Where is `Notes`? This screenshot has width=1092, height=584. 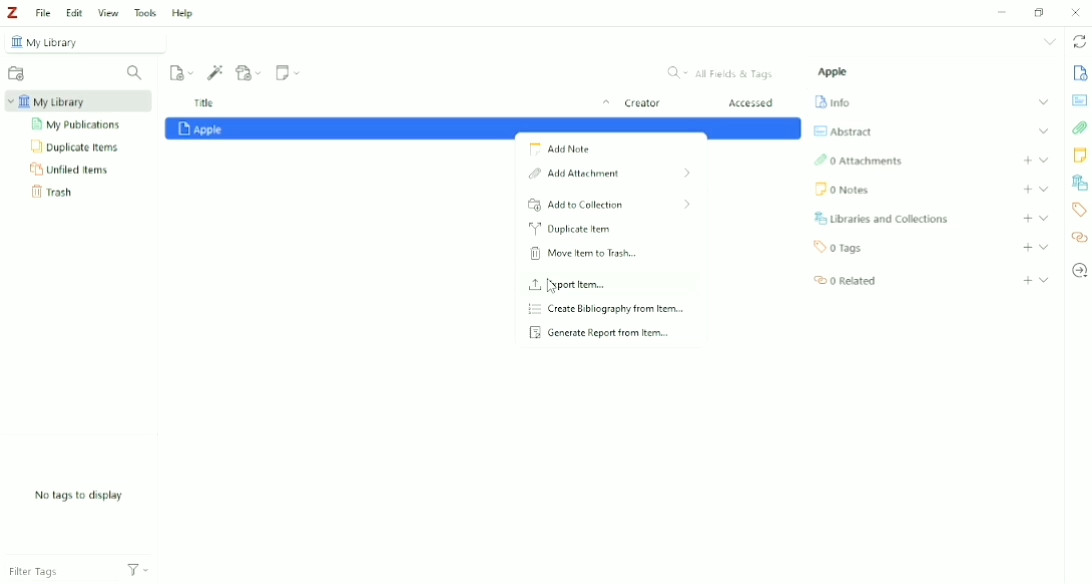 Notes is located at coordinates (843, 191).